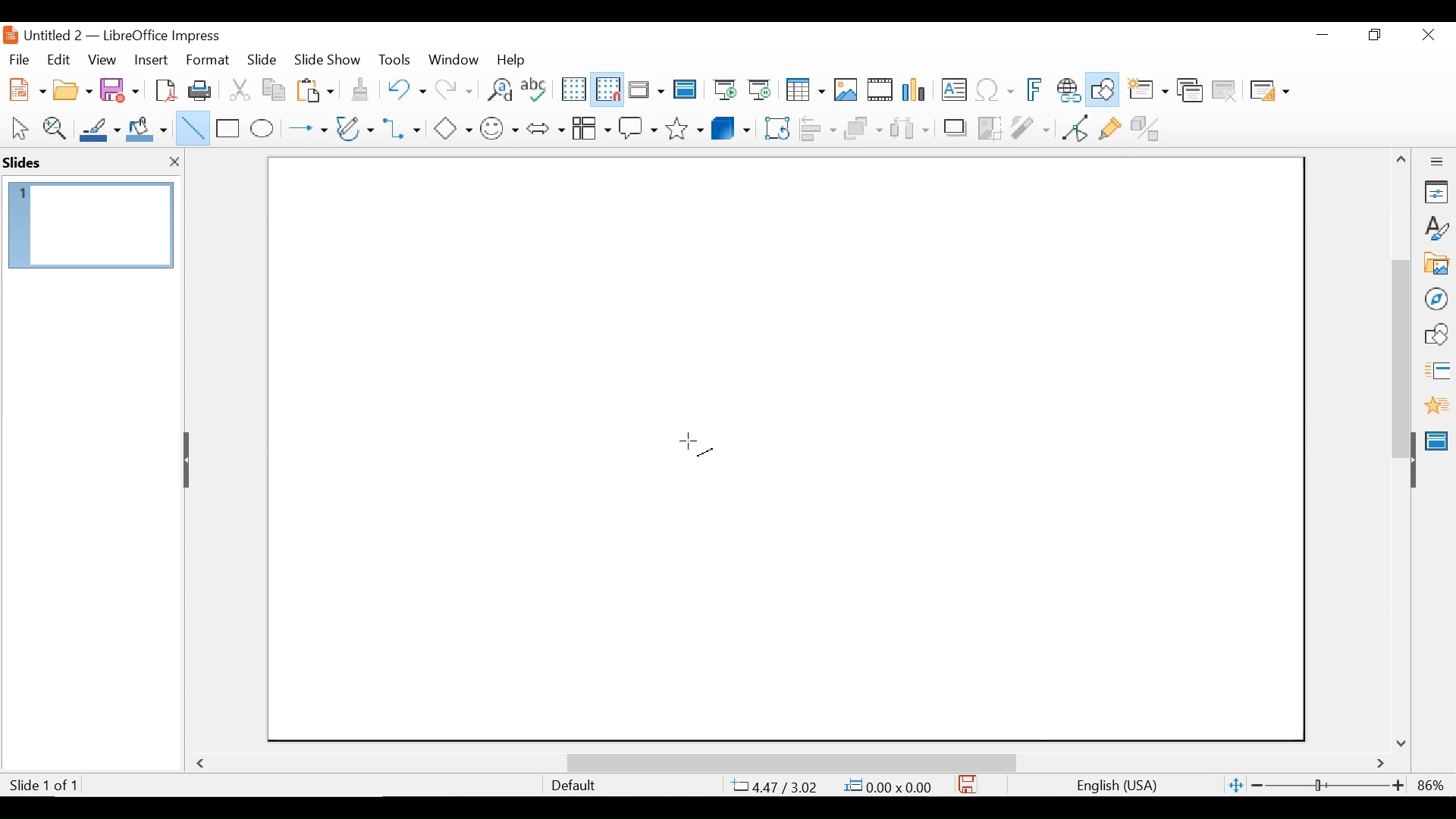 The width and height of the screenshot is (1456, 819). I want to click on Insert Chart, so click(916, 91).